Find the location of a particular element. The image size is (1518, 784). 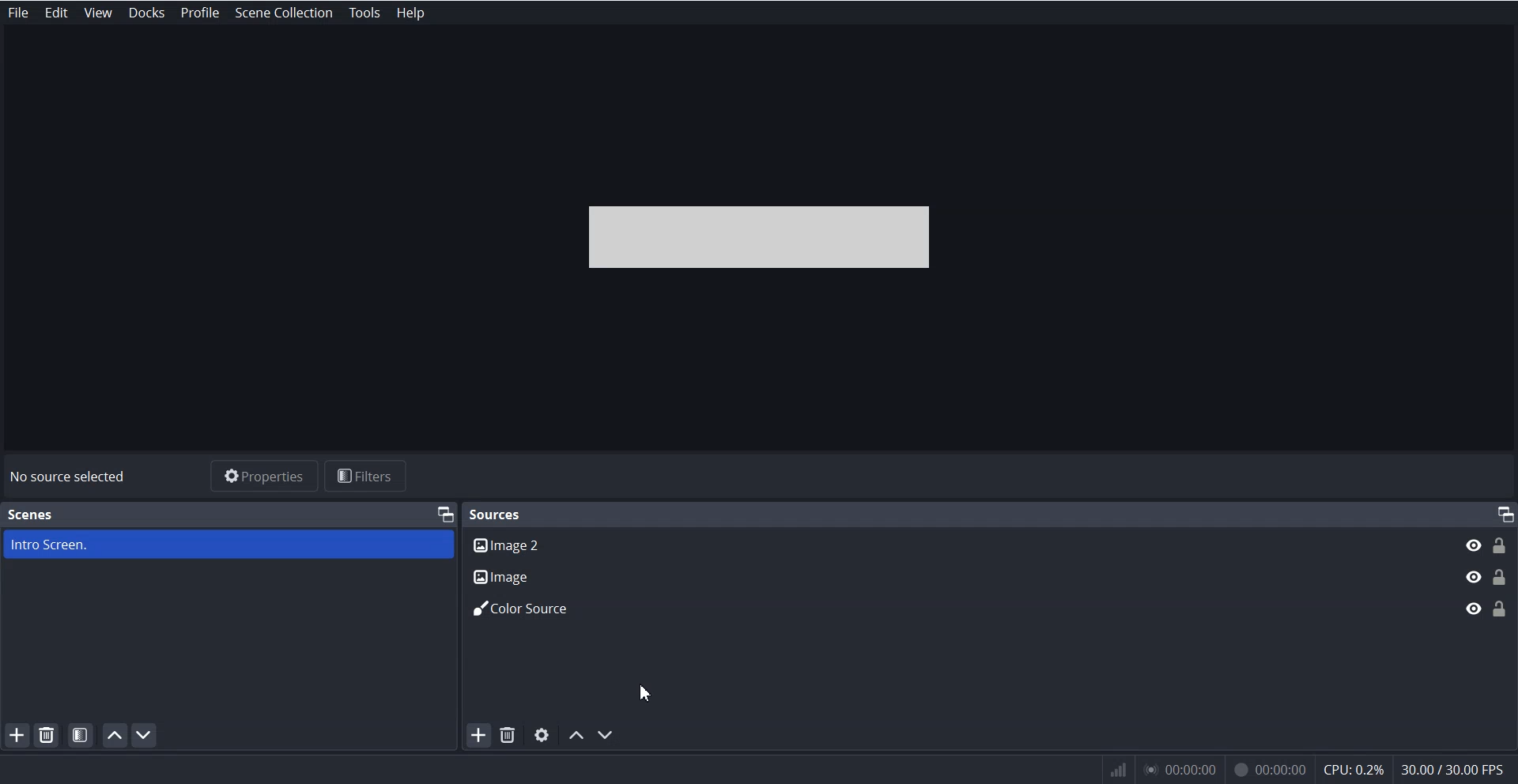

Remove Selected Scene is located at coordinates (48, 735).